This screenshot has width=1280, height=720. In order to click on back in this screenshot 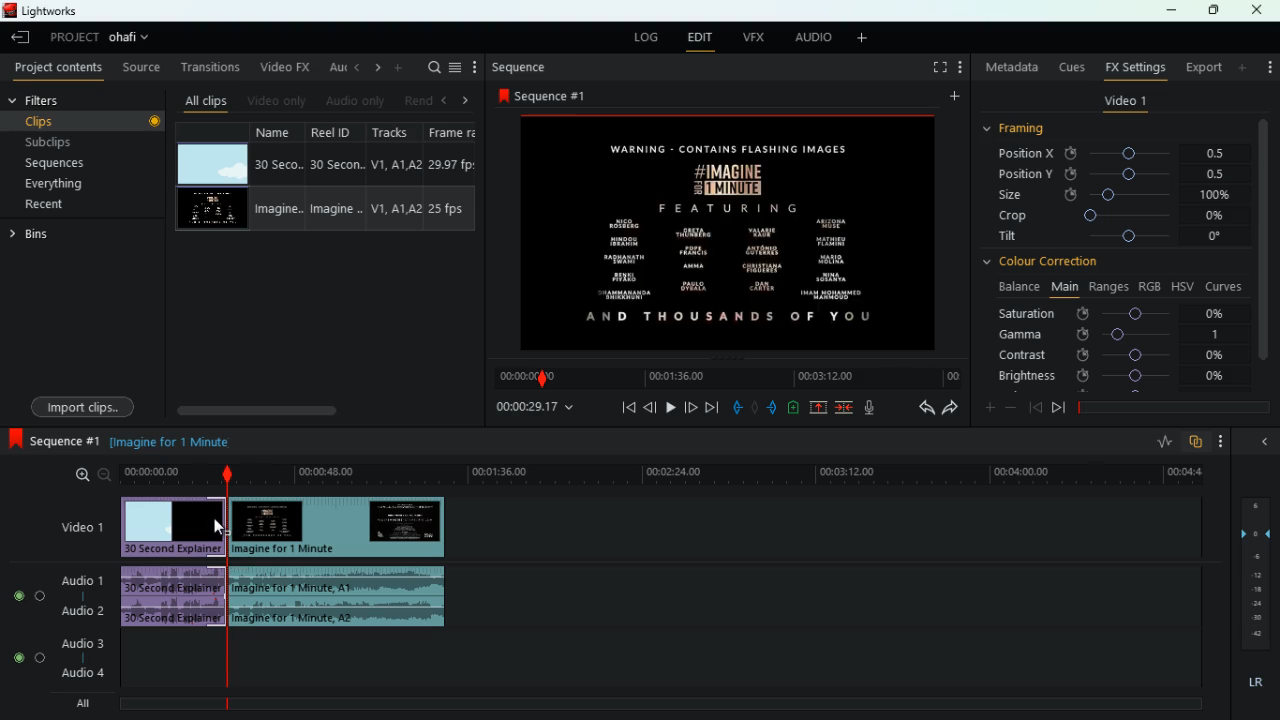, I will do `click(922, 409)`.